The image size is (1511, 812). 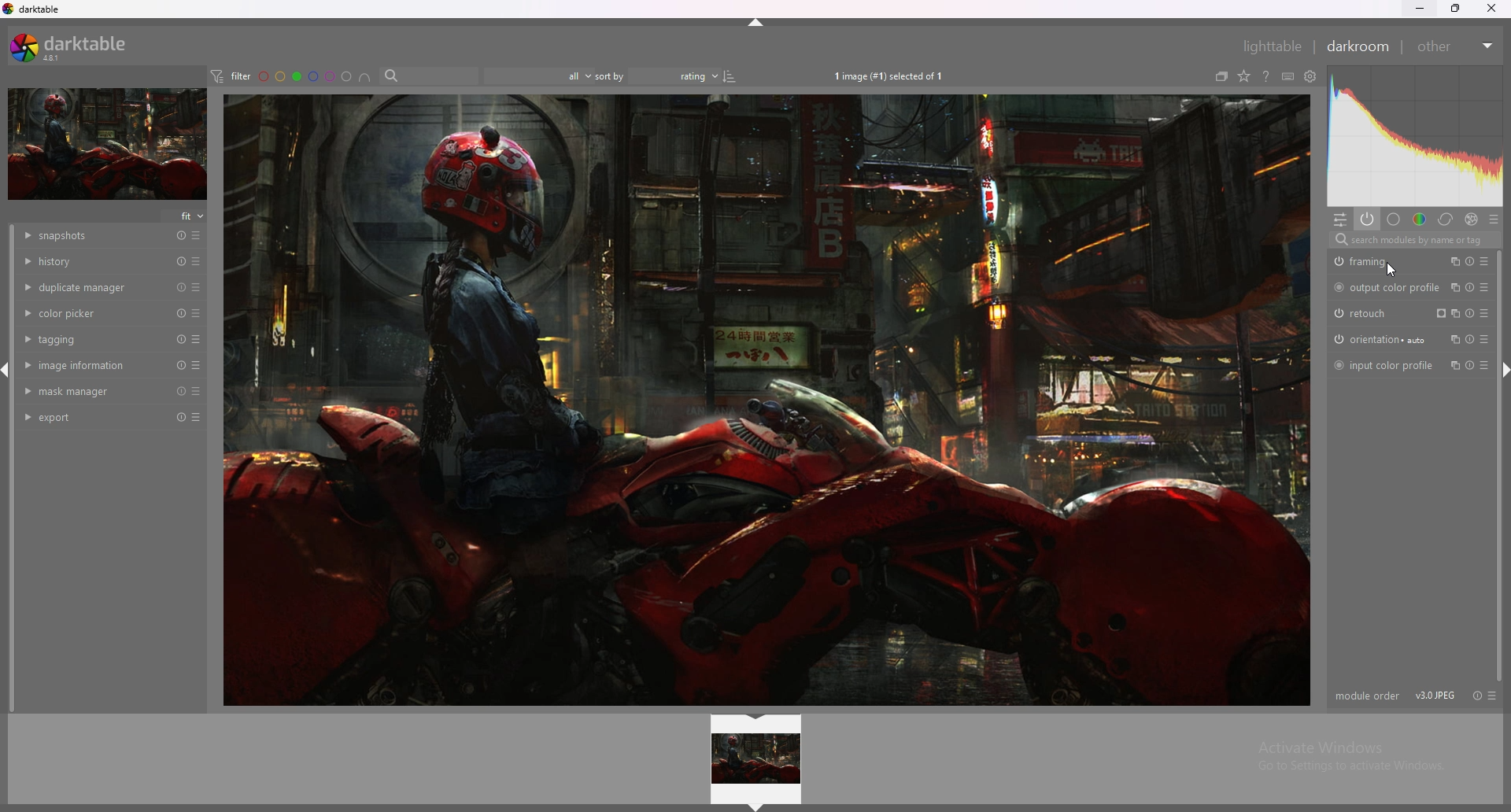 I want to click on reset, so click(x=179, y=261).